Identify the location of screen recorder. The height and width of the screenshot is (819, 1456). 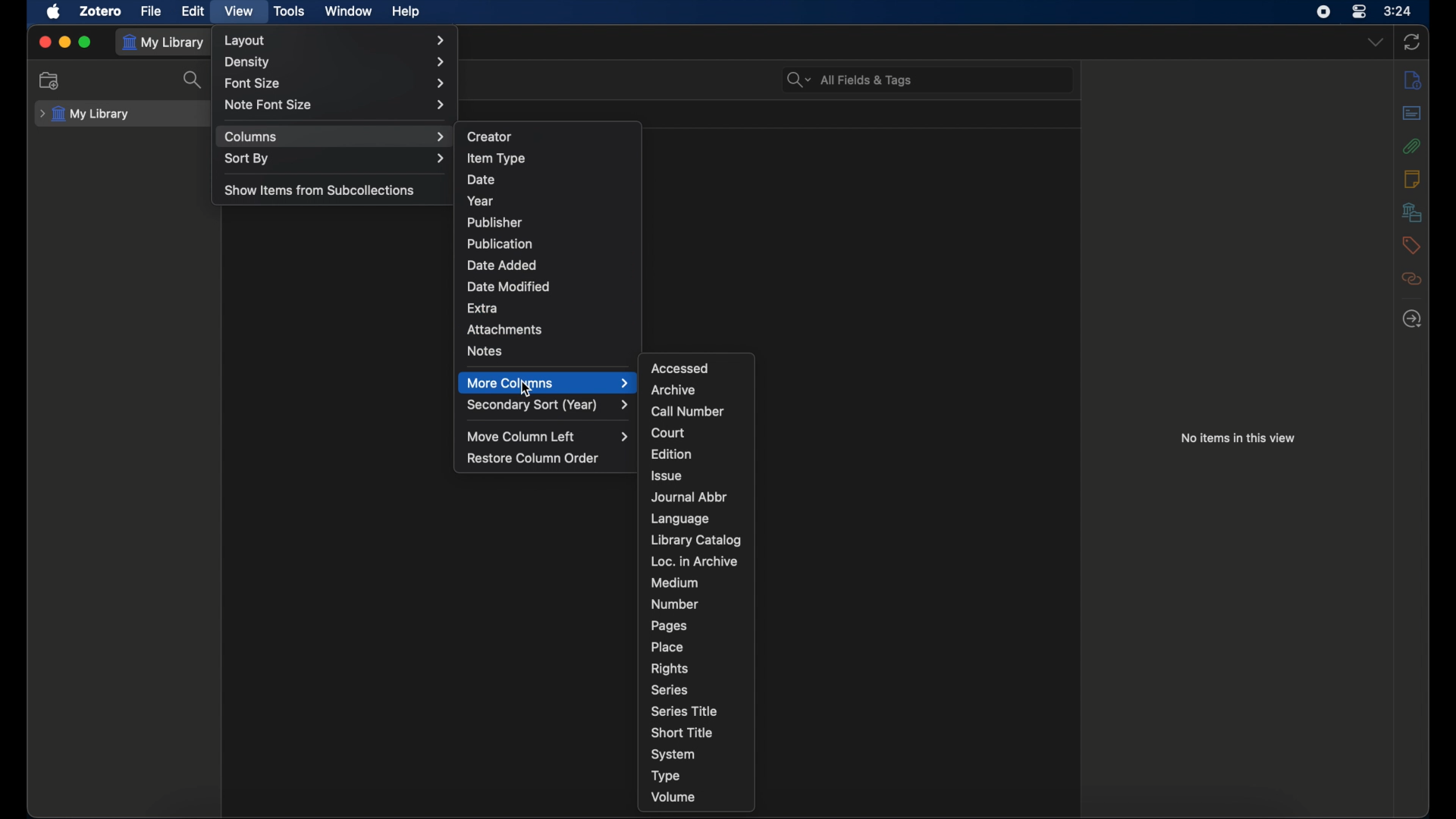
(1323, 12).